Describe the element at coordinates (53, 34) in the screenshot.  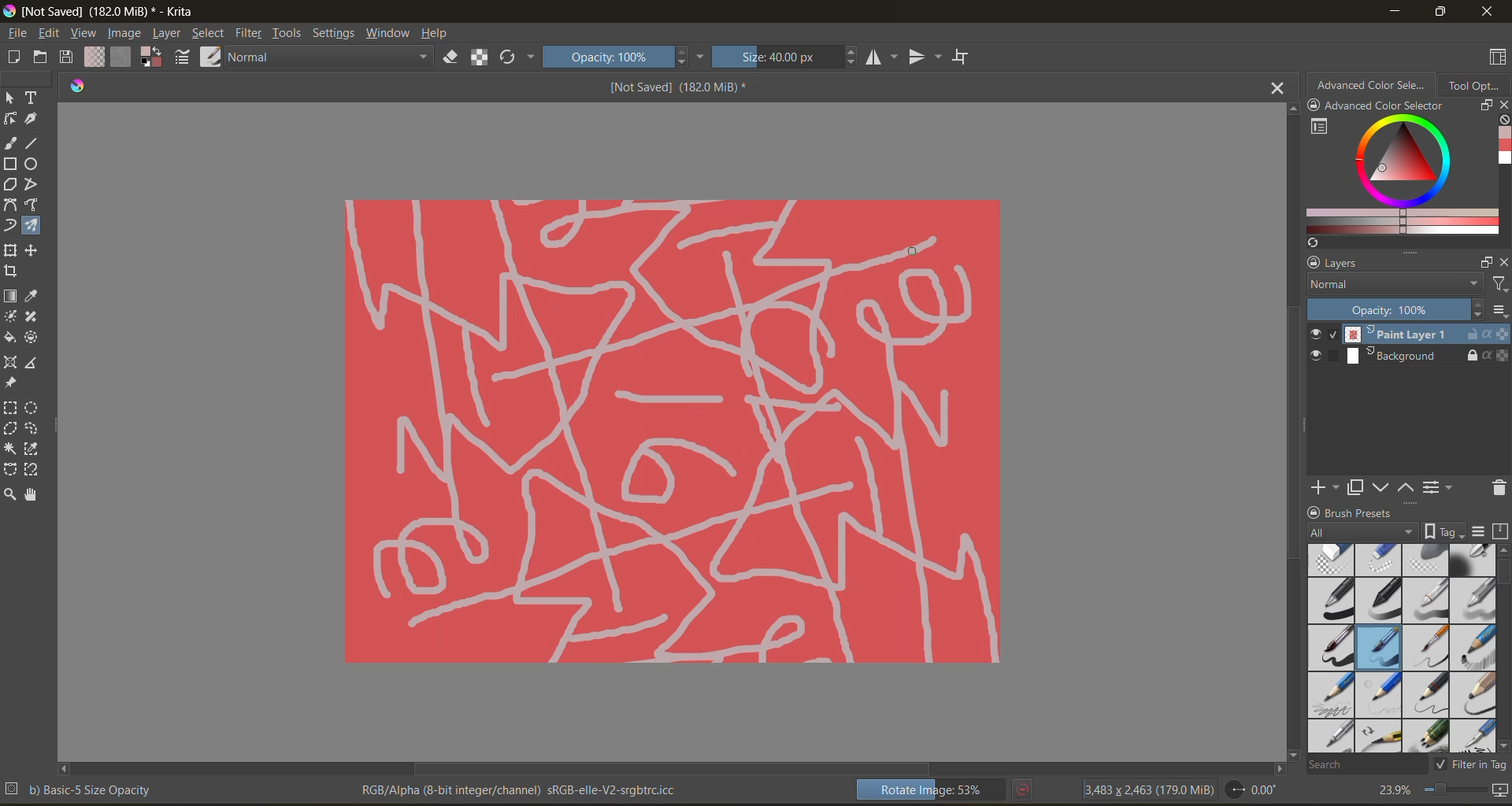
I see `edit` at that location.